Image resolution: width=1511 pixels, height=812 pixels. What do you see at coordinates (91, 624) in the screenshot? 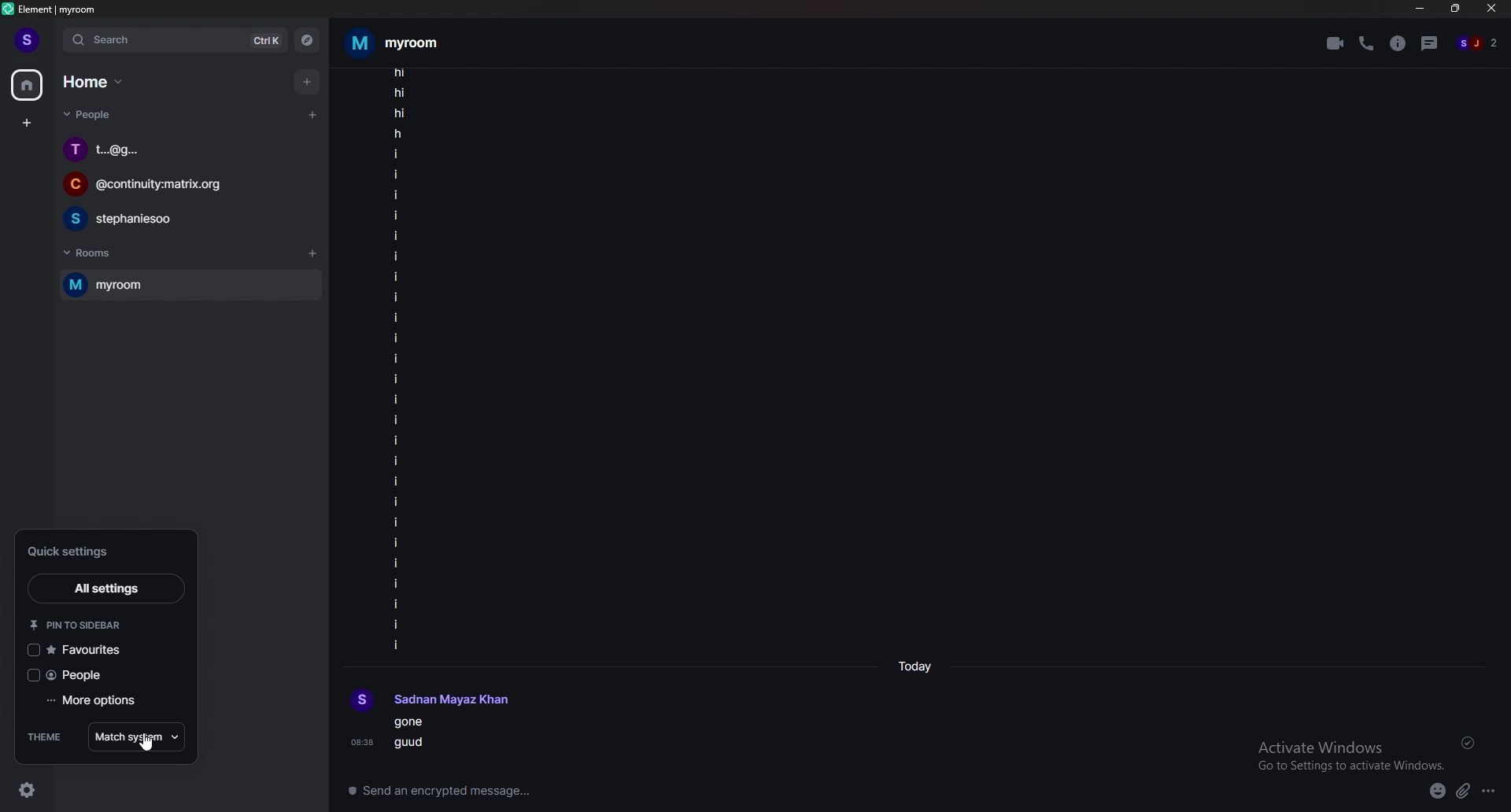
I see `pin to sidebar` at bounding box center [91, 624].